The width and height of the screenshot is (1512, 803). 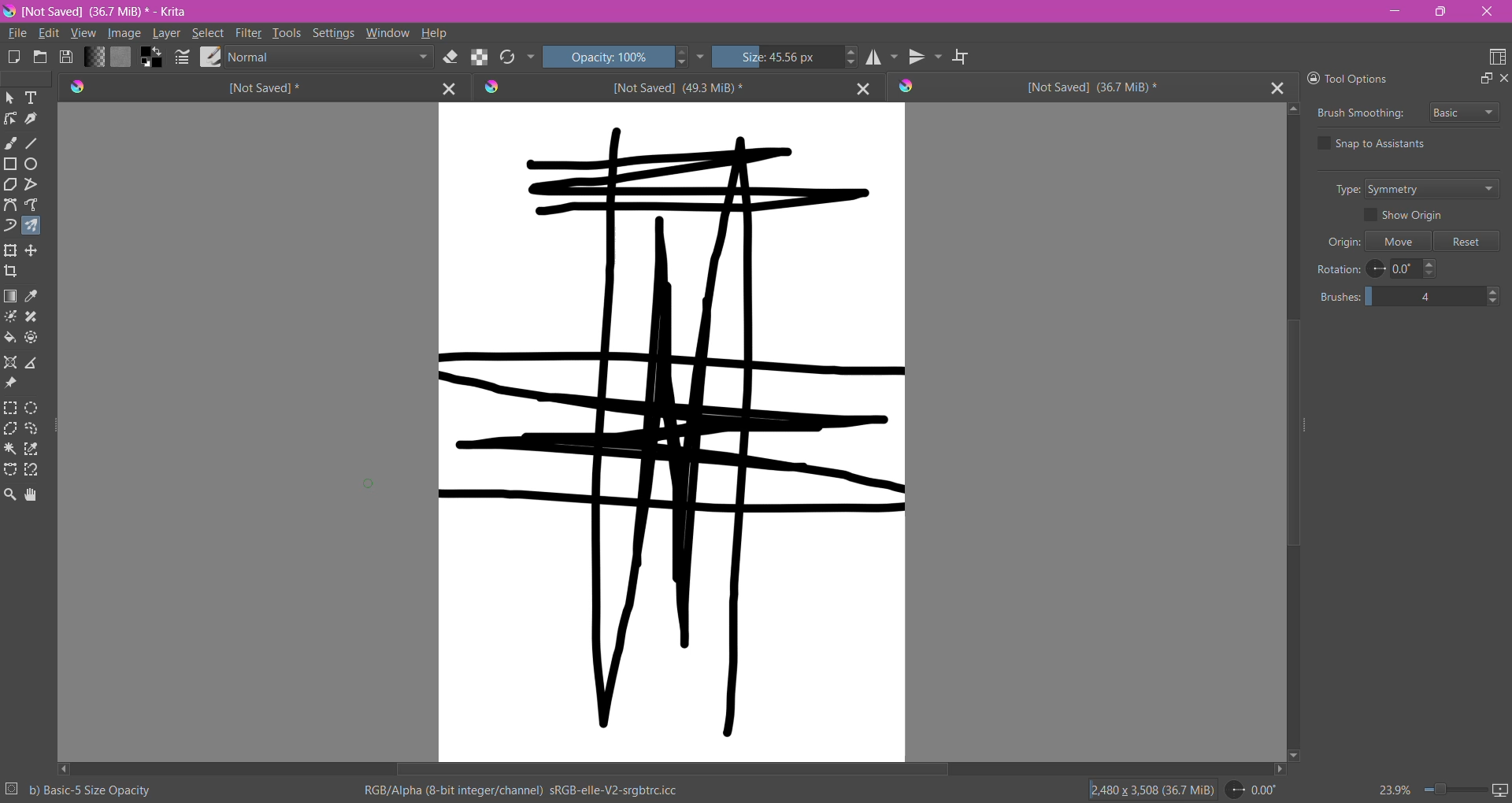 I want to click on Move, so click(x=1400, y=243).